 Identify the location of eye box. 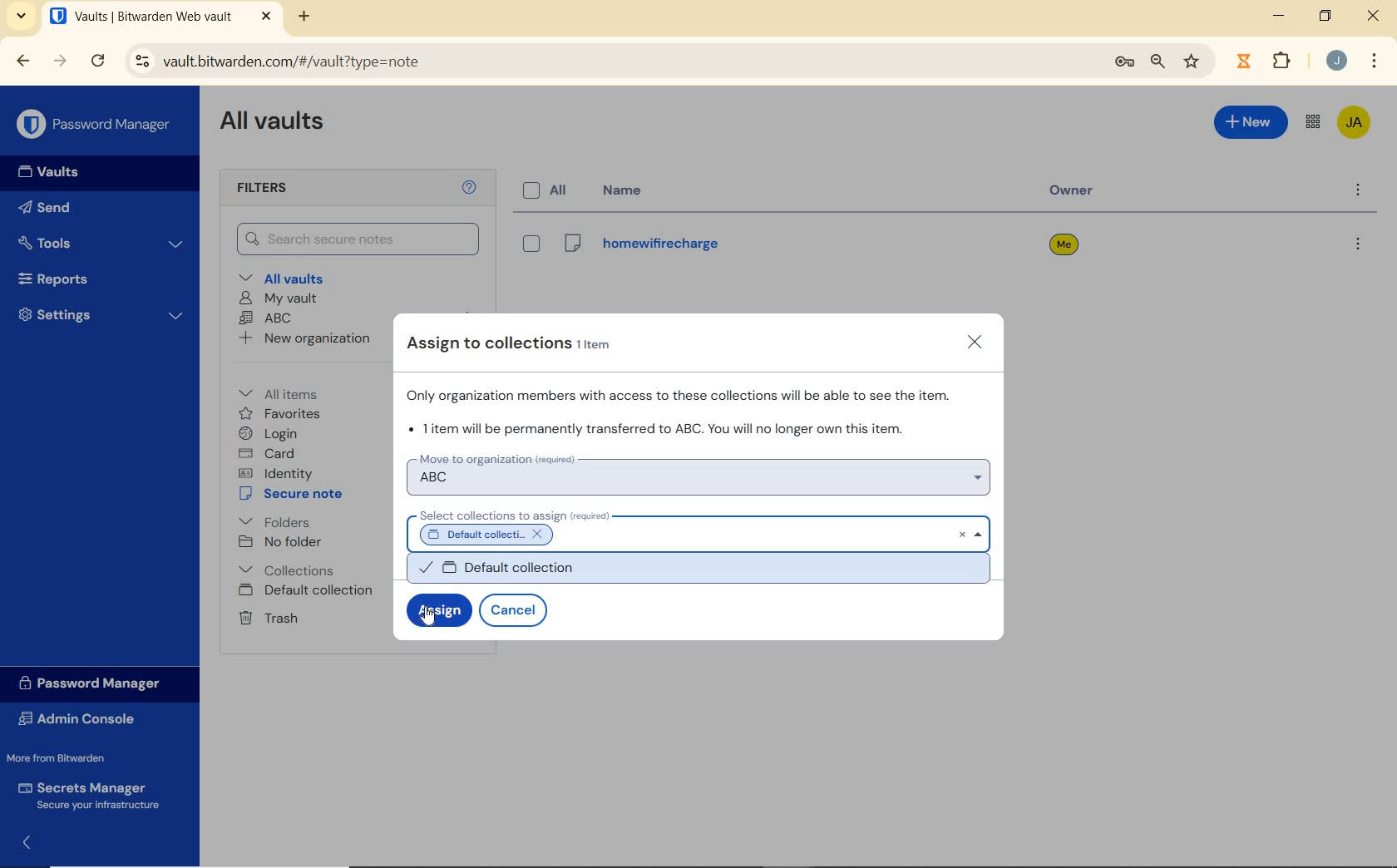
(530, 244).